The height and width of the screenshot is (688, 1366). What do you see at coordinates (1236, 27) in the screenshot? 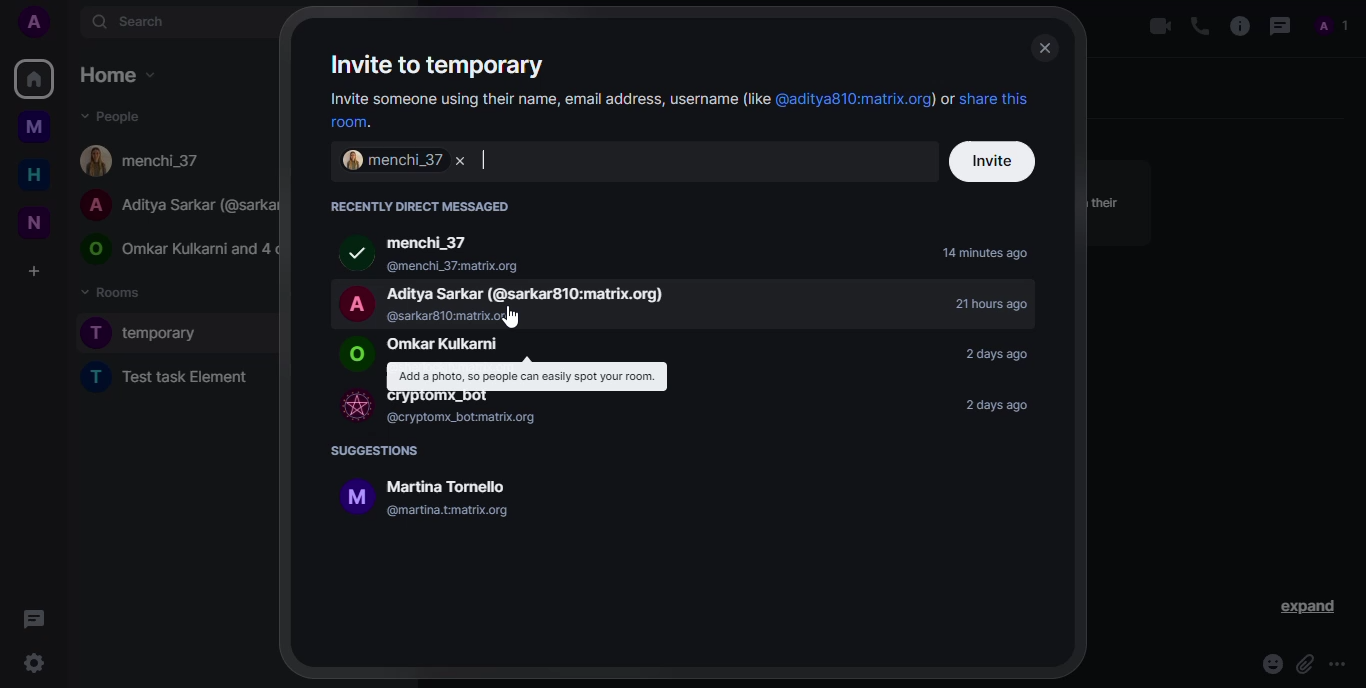
I see `info` at bounding box center [1236, 27].